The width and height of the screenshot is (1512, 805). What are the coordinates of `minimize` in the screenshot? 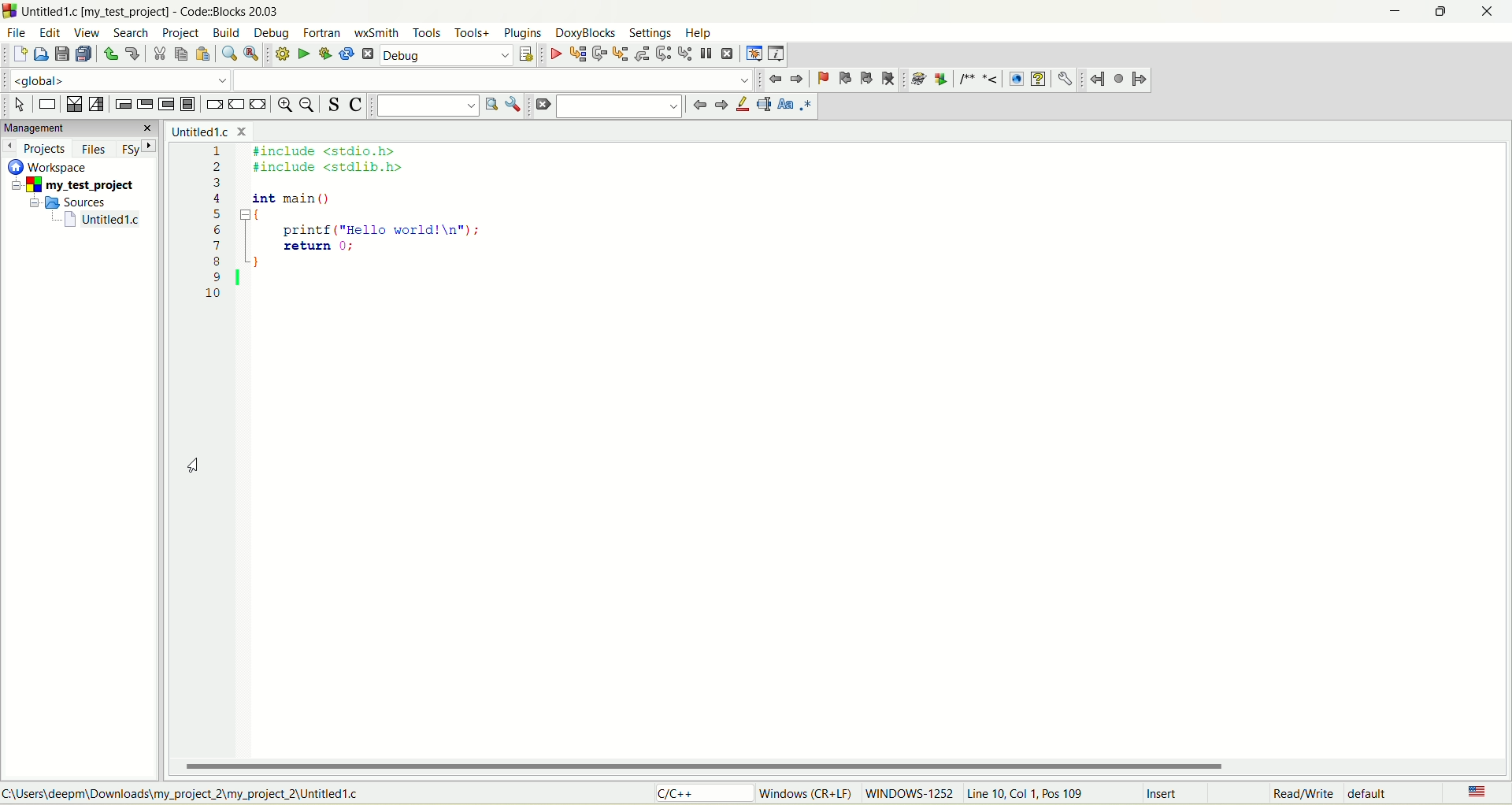 It's located at (1388, 15).